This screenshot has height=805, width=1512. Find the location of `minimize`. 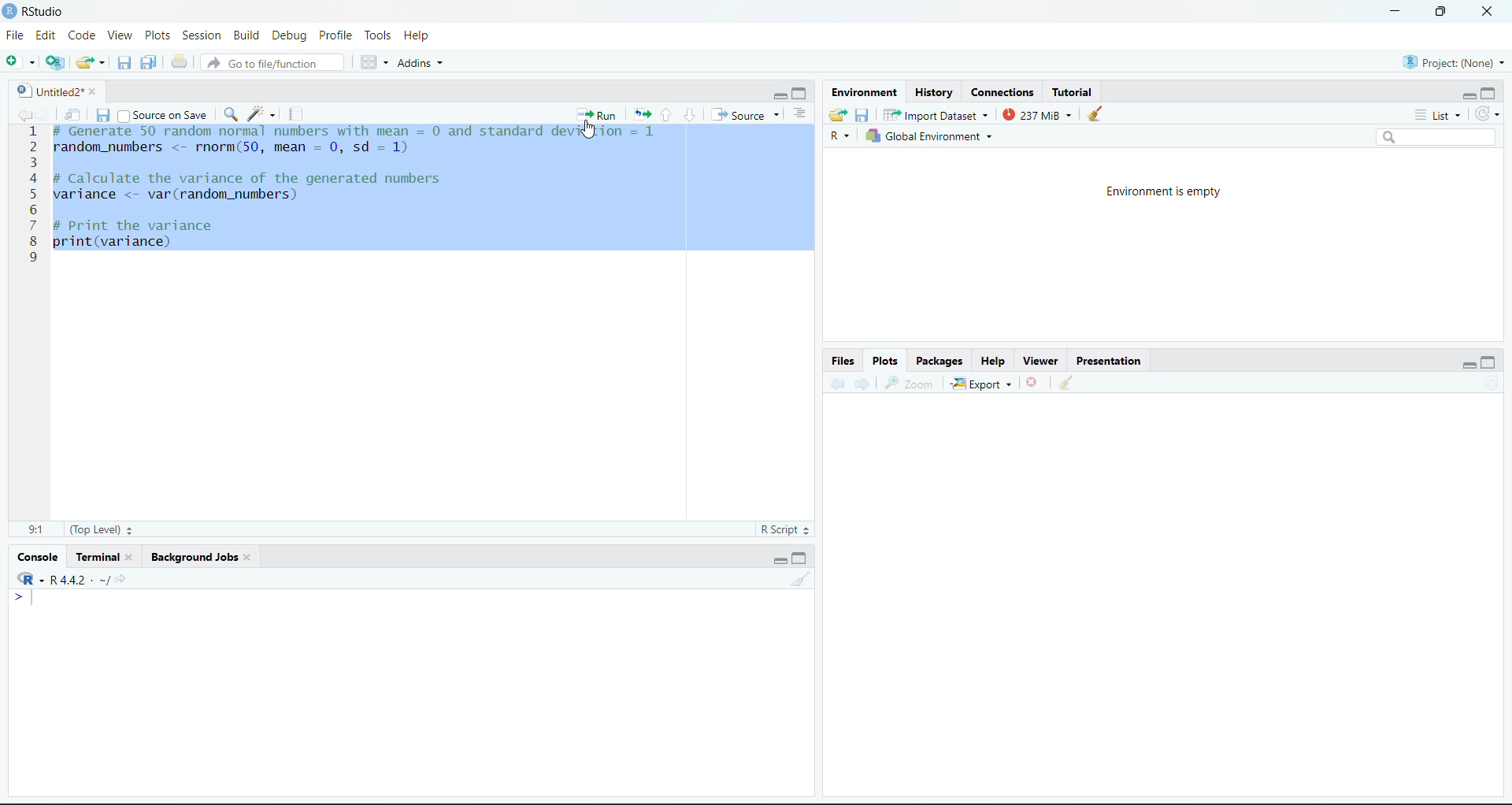

minimize is located at coordinates (1468, 98).